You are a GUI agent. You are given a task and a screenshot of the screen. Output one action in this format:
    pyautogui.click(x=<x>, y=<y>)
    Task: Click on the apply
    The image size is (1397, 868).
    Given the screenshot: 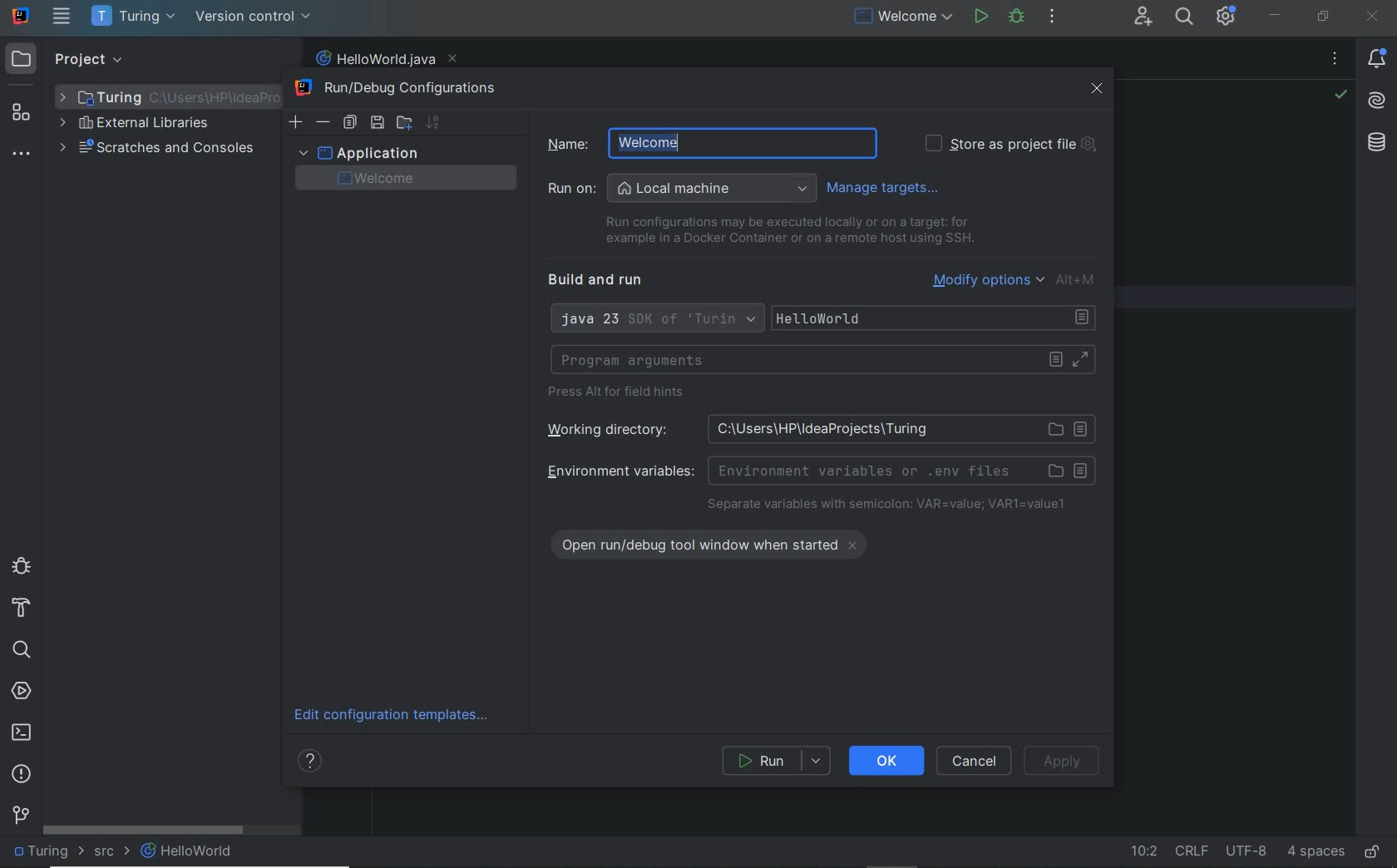 What is the action you would take?
    pyautogui.click(x=1065, y=761)
    